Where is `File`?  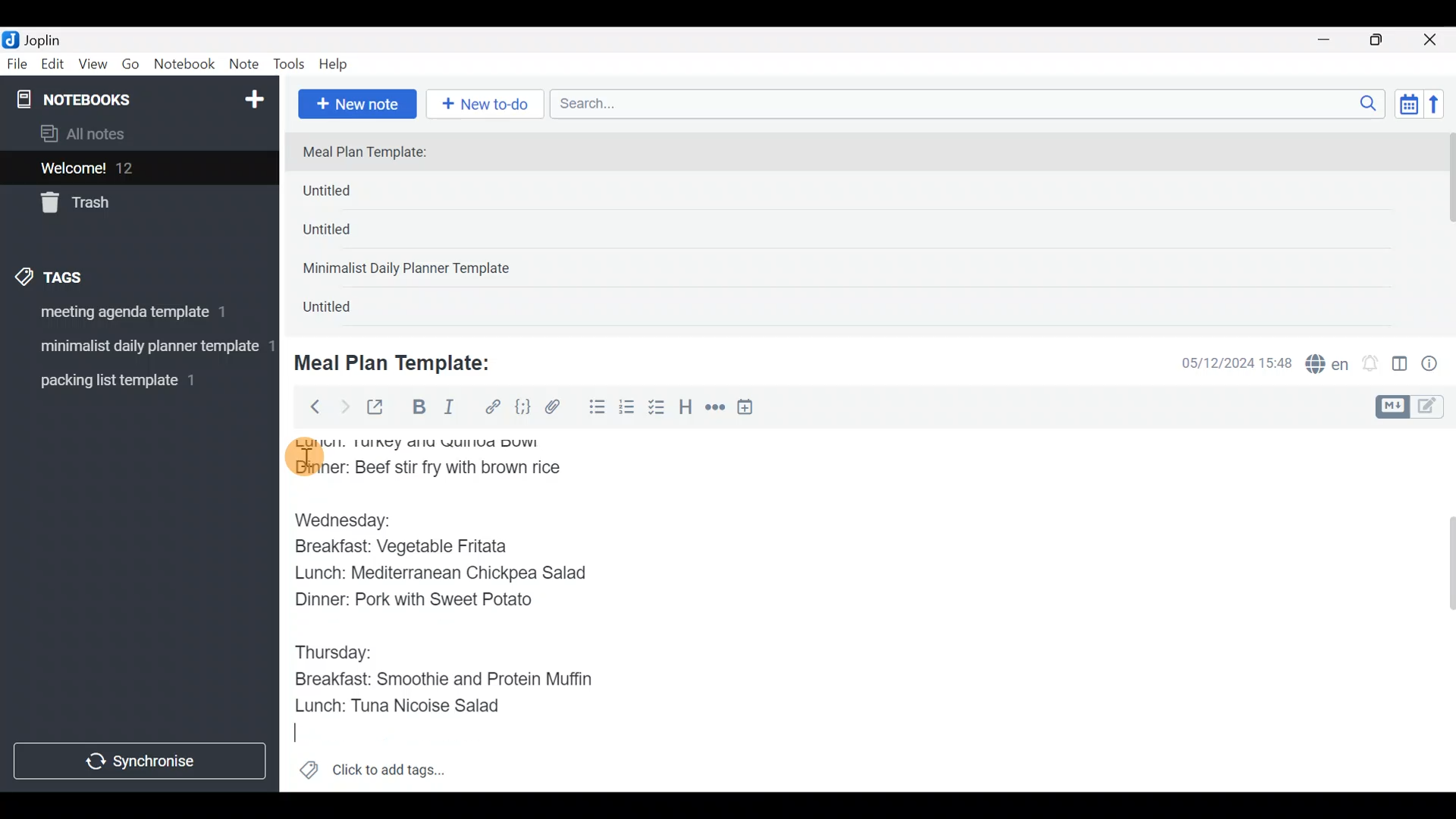
File is located at coordinates (18, 64).